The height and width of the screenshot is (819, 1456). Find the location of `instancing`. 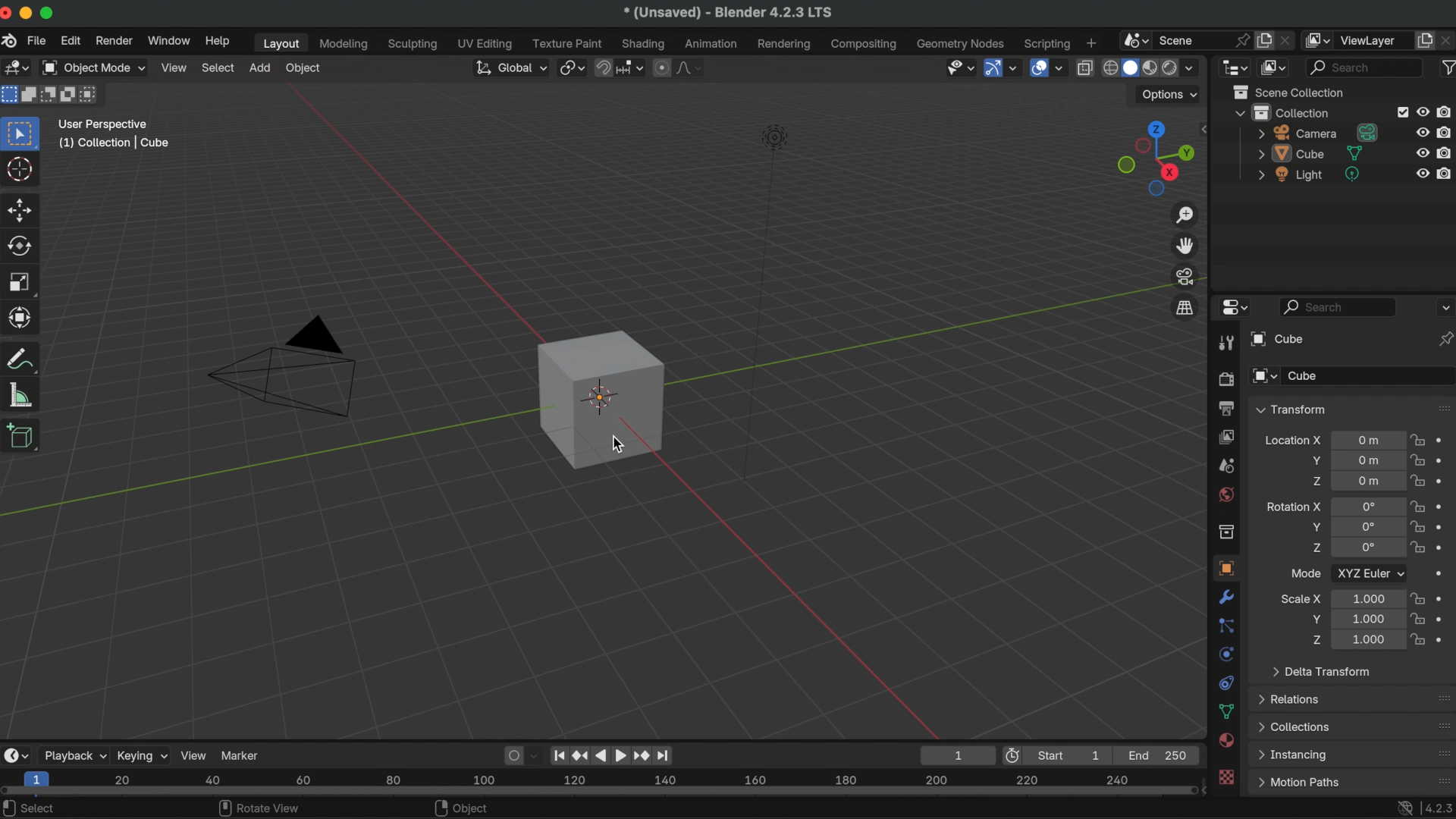

instancing is located at coordinates (1296, 755).